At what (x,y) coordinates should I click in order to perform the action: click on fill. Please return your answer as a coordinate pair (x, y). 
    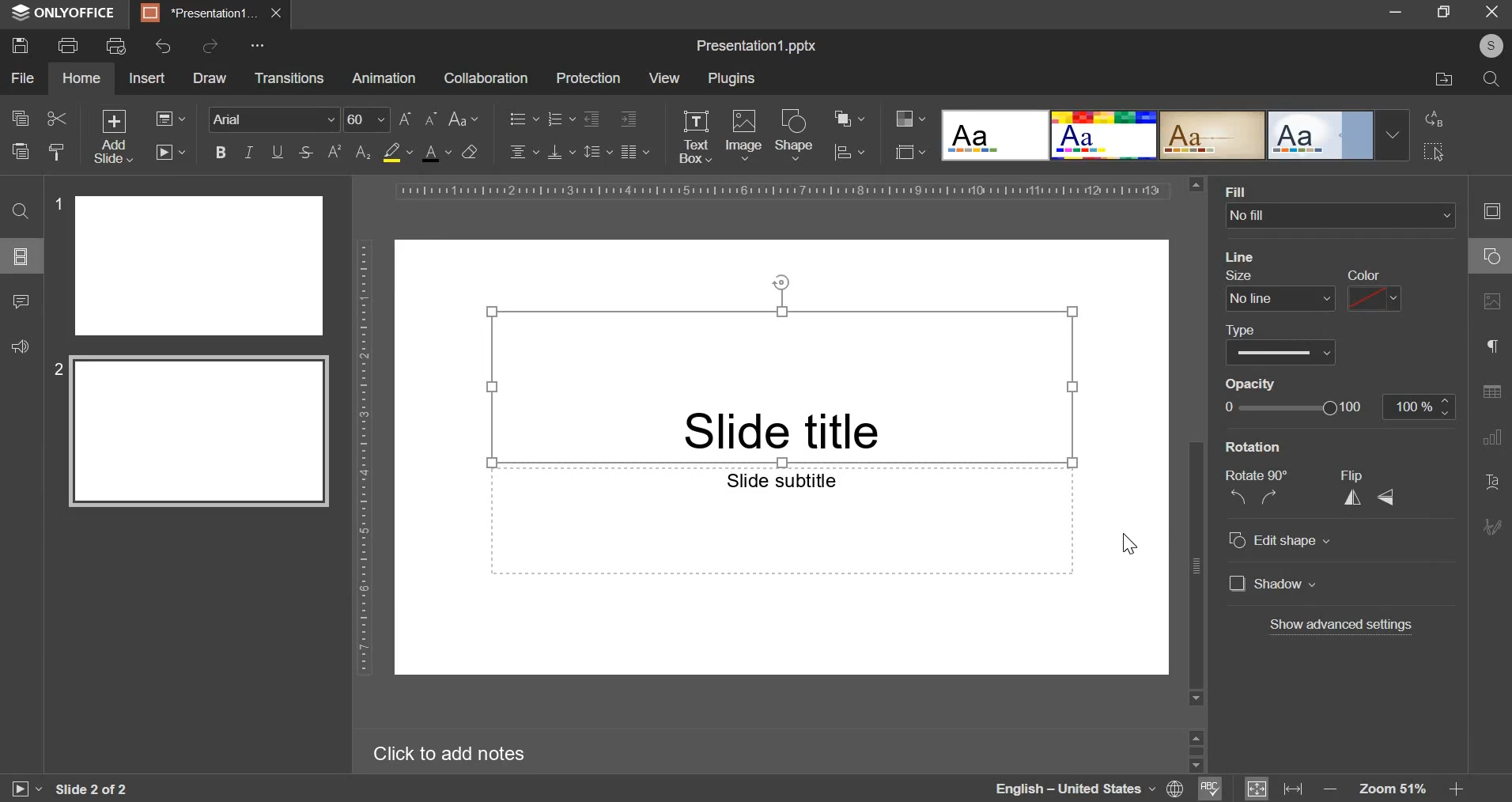
    Looking at the image, I should click on (1238, 191).